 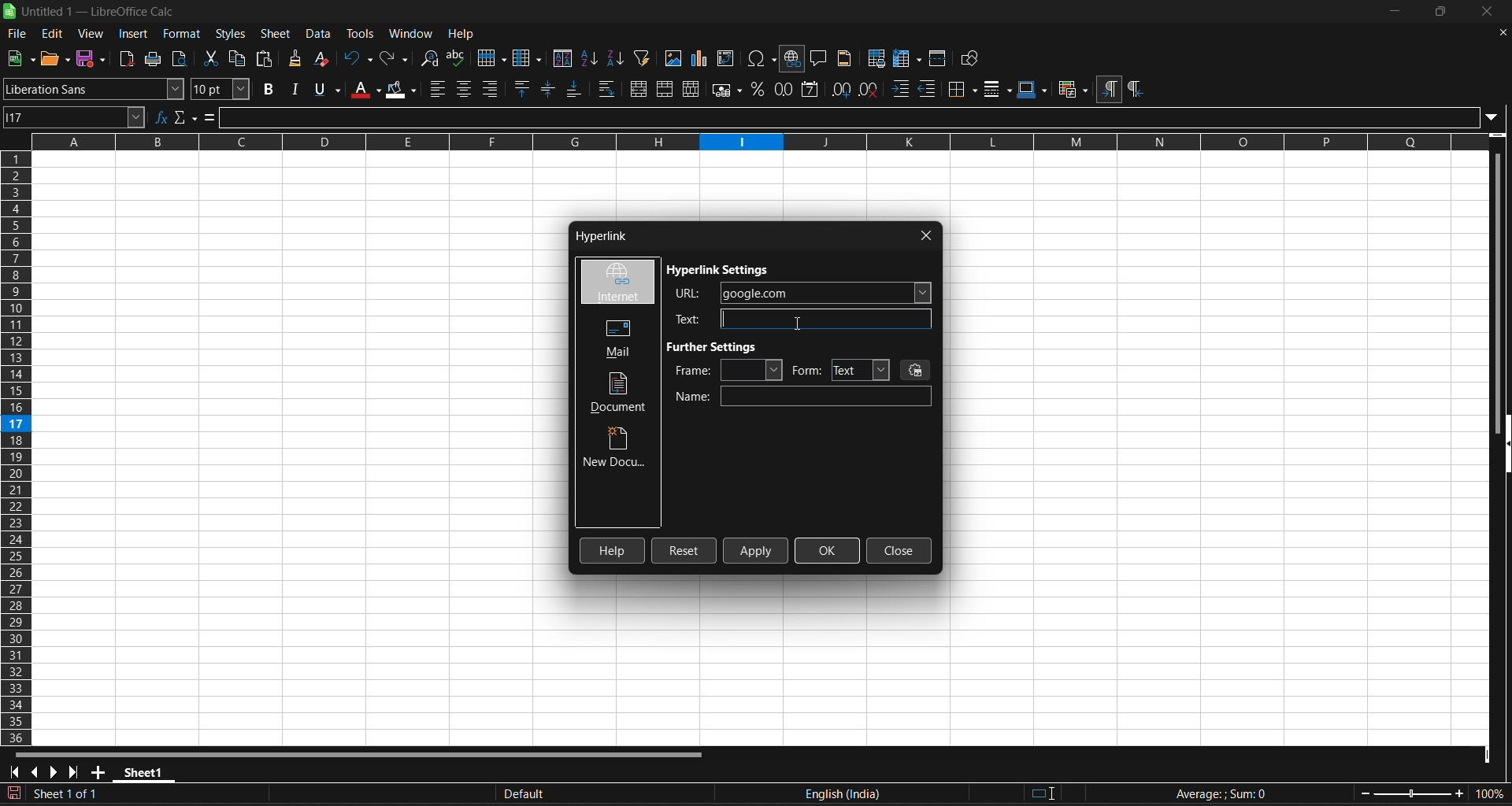 What do you see at coordinates (529, 57) in the screenshot?
I see `column` at bounding box center [529, 57].